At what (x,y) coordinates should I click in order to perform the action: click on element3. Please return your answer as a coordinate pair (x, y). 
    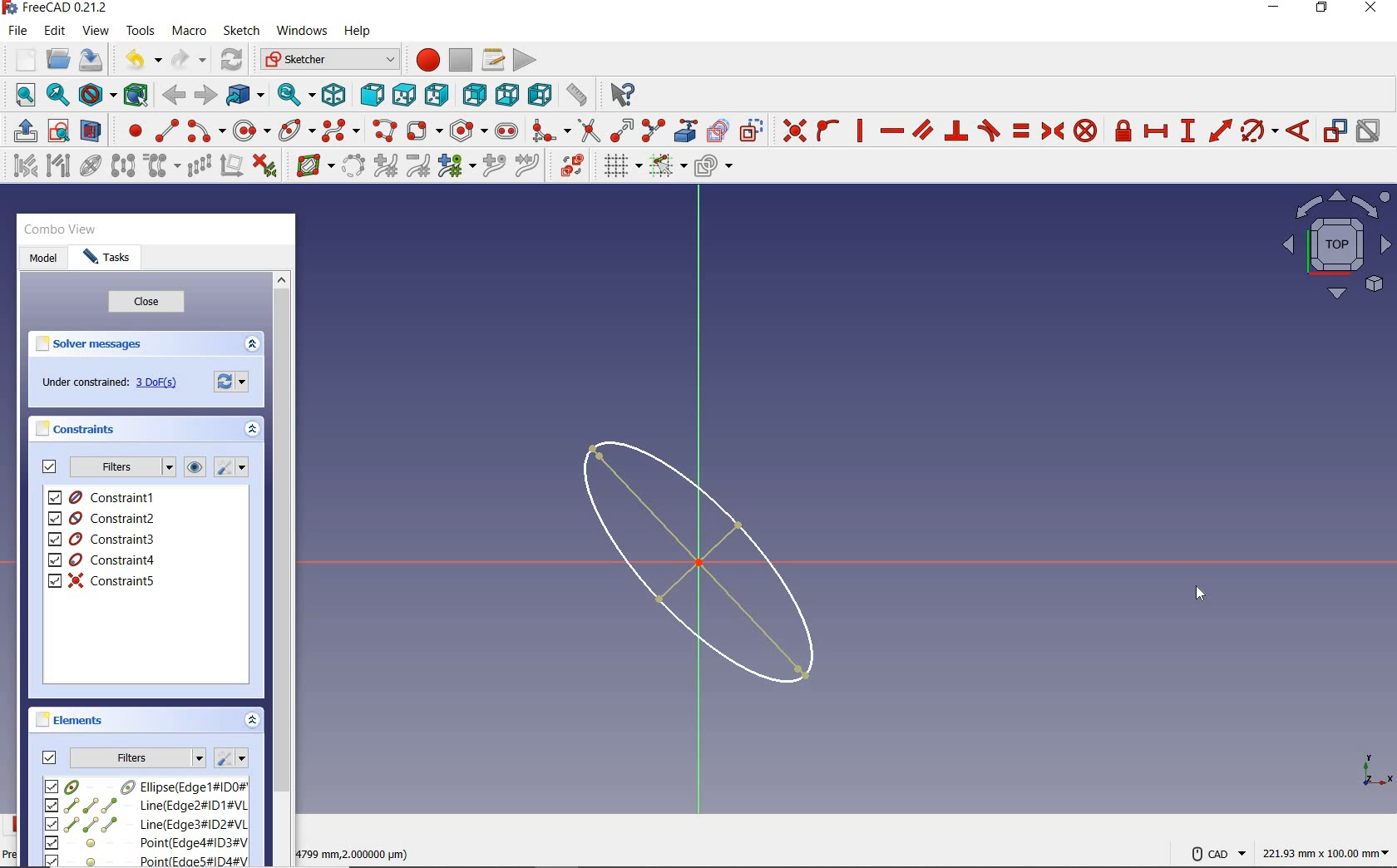
    Looking at the image, I should click on (146, 824).